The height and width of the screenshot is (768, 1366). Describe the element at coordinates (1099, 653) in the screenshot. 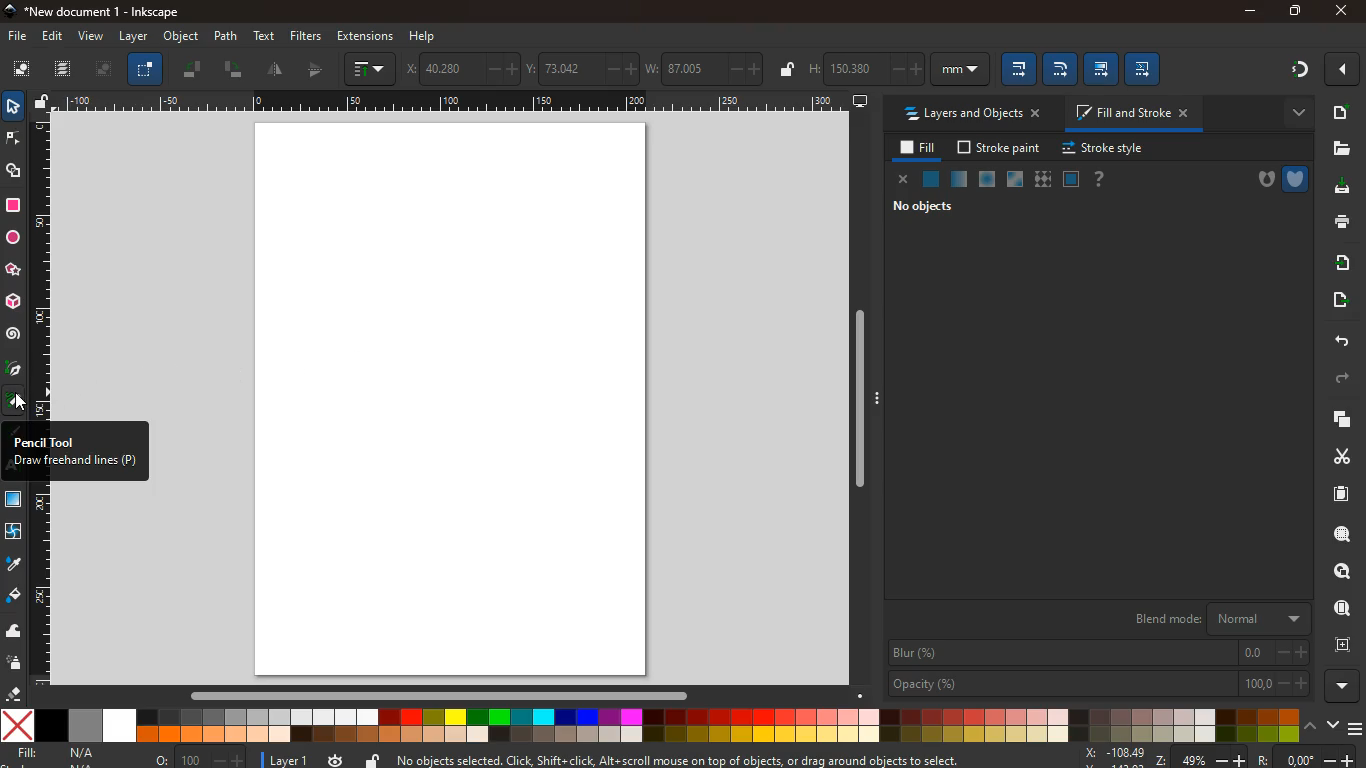

I see `blur` at that location.